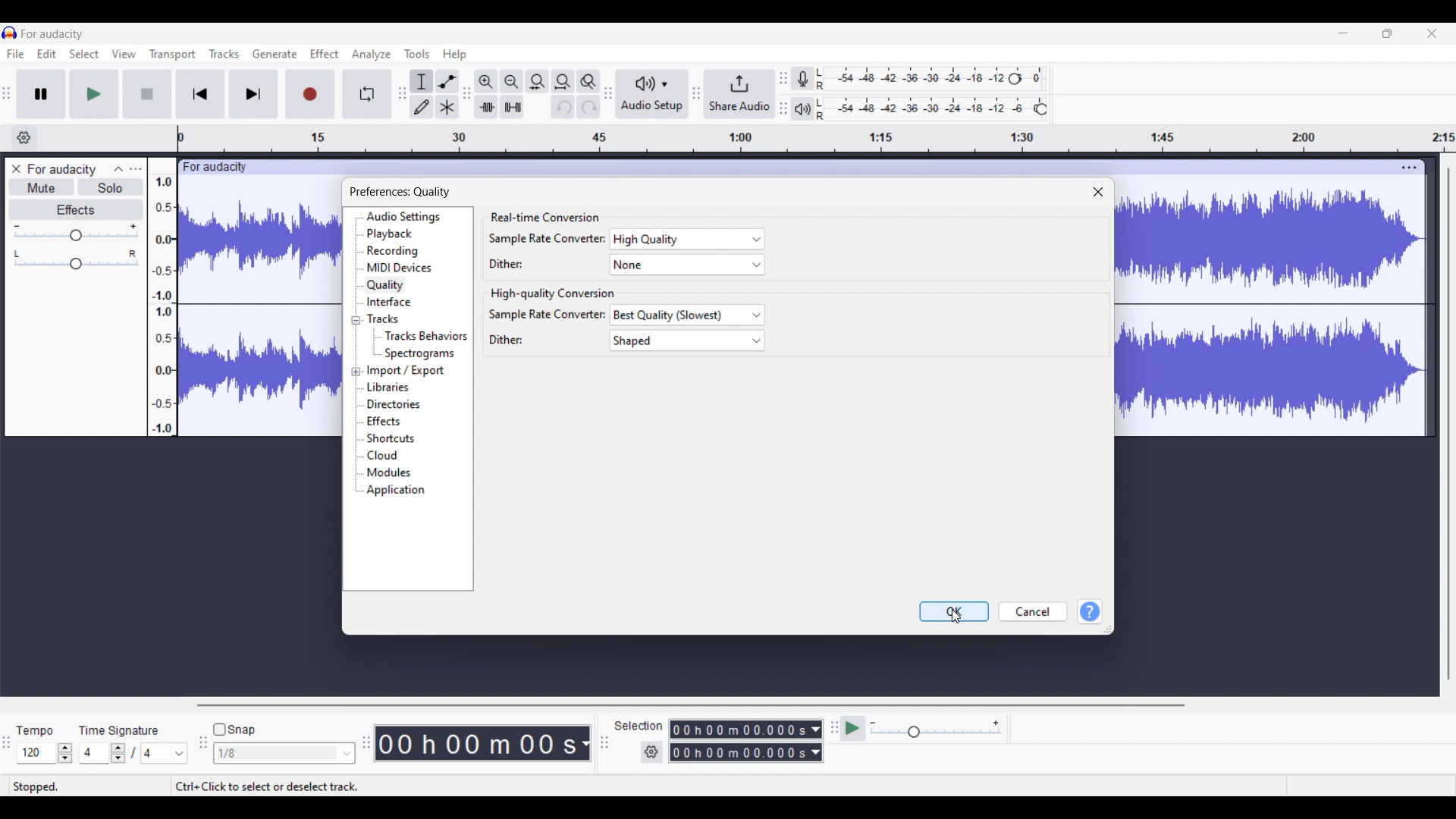 The height and width of the screenshot is (819, 1456). Describe the element at coordinates (783, 93) in the screenshot. I see `Change position of respective level` at that location.